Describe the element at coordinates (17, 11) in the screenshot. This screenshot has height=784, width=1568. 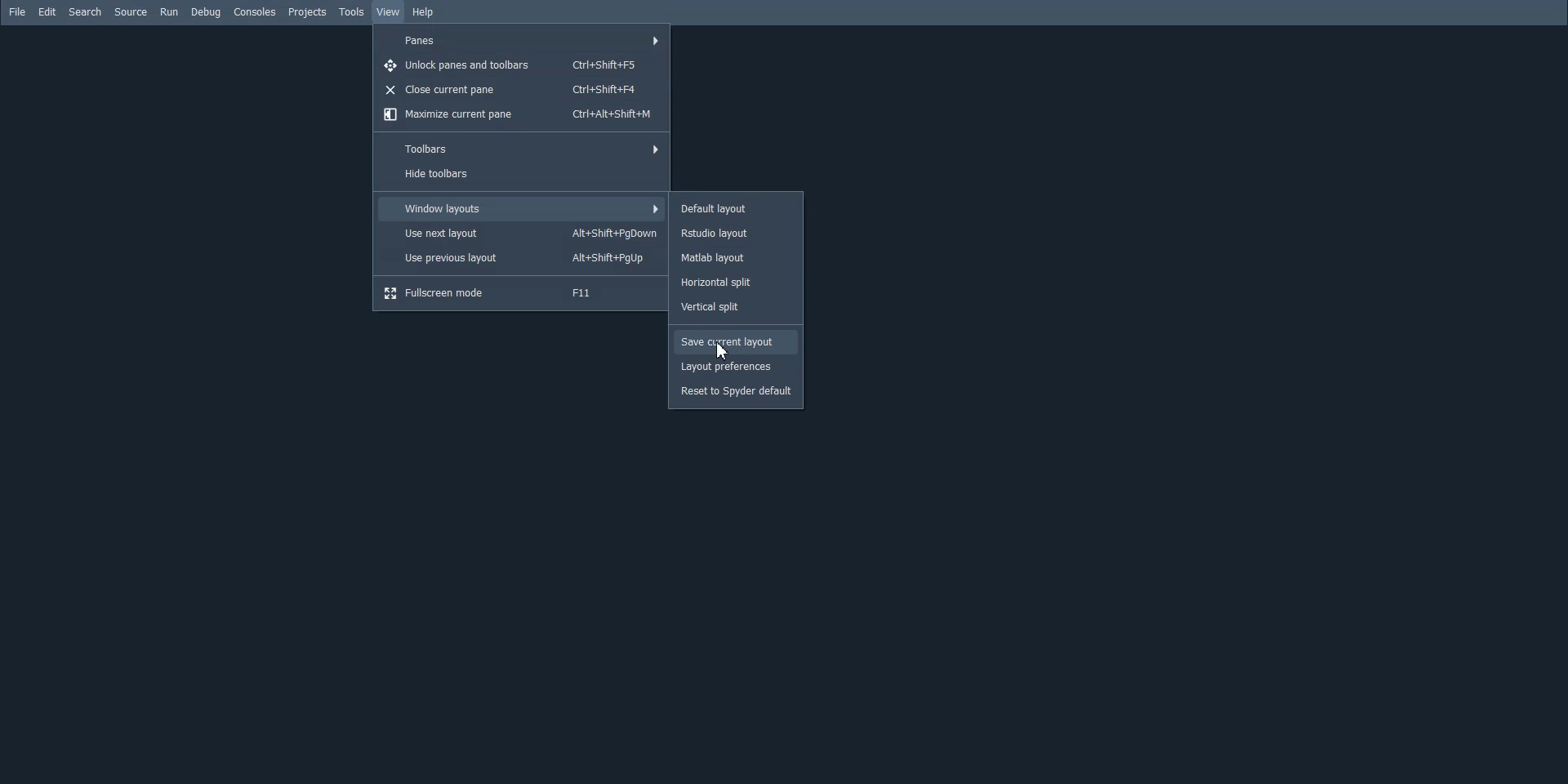
I see `File` at that location.